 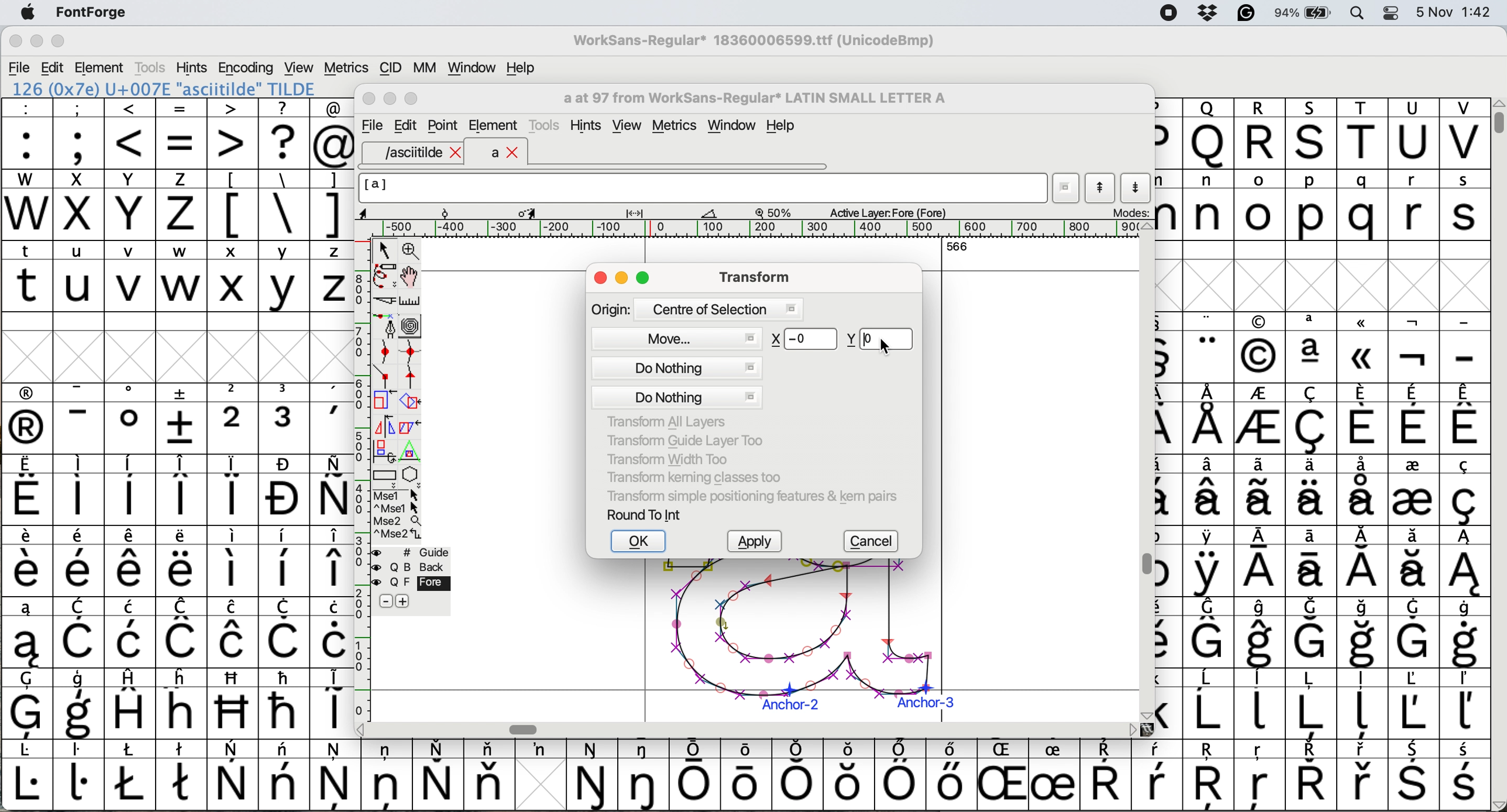 I want to click on symbol, so click(x=646, y=775).